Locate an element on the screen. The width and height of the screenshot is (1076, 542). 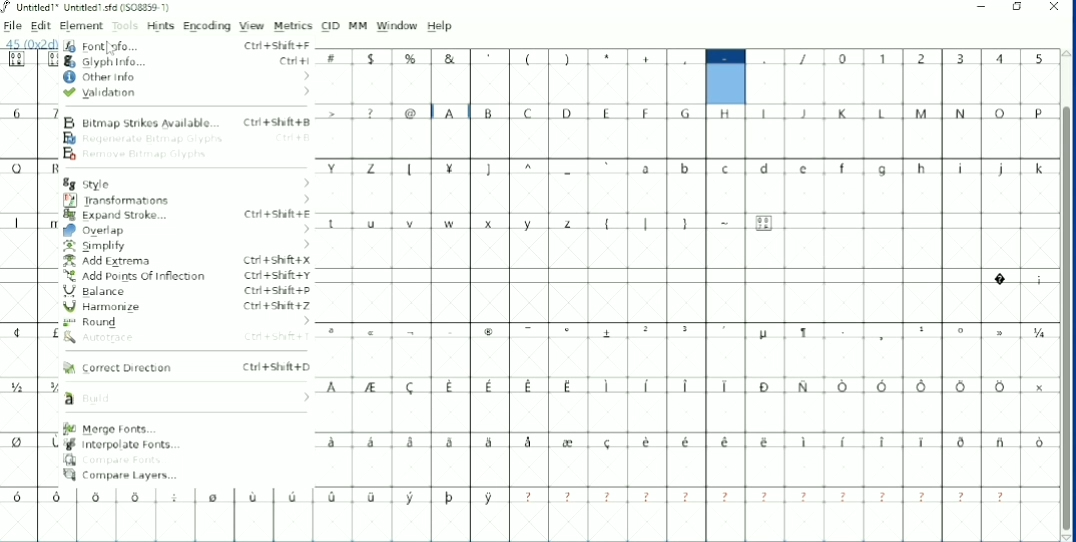
Other Info is located at coordinates (187, 77).